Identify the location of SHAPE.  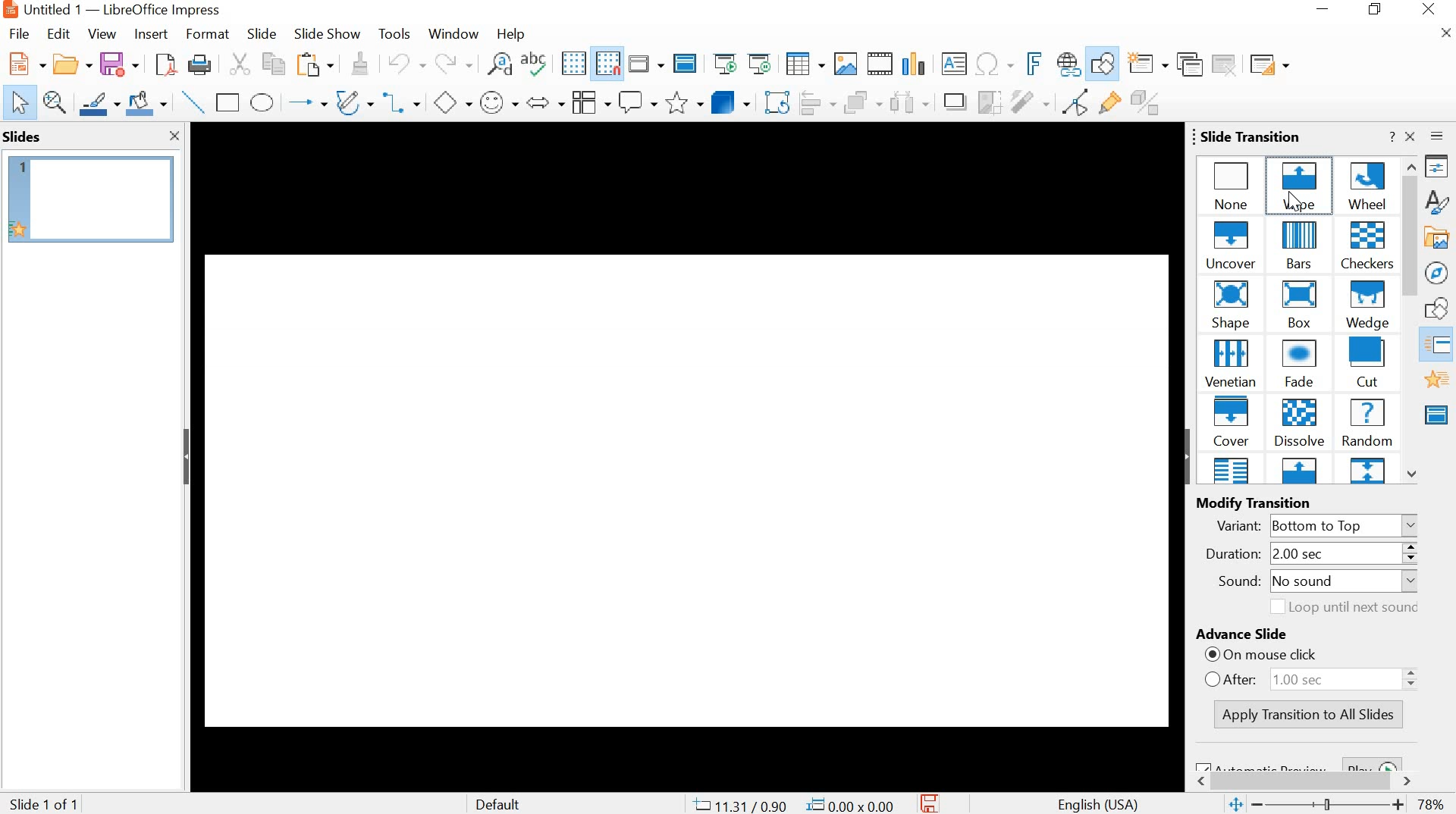
(1233, 305).